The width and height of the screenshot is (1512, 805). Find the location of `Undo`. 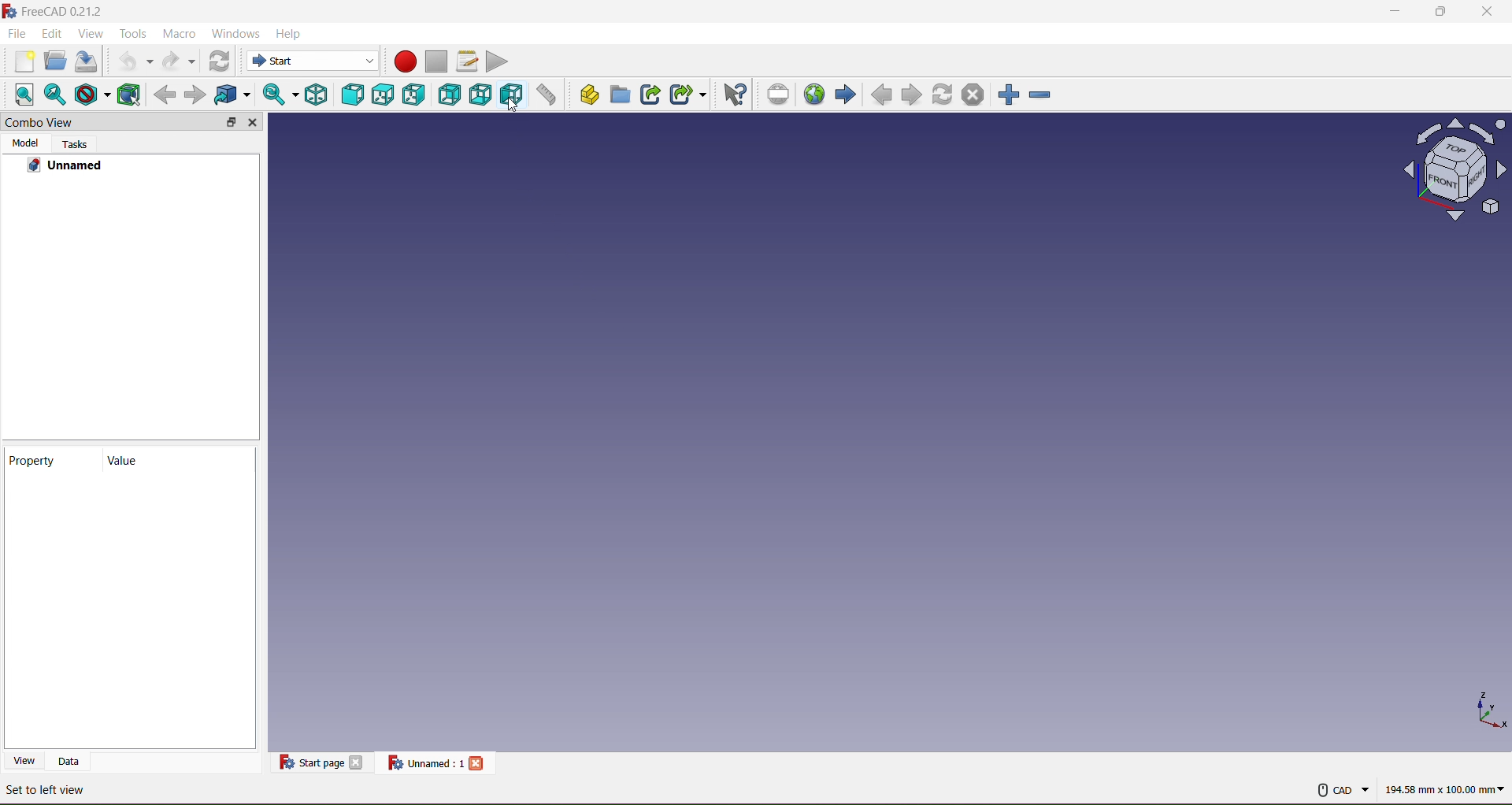

Undo is located at coordinates (135, 61).